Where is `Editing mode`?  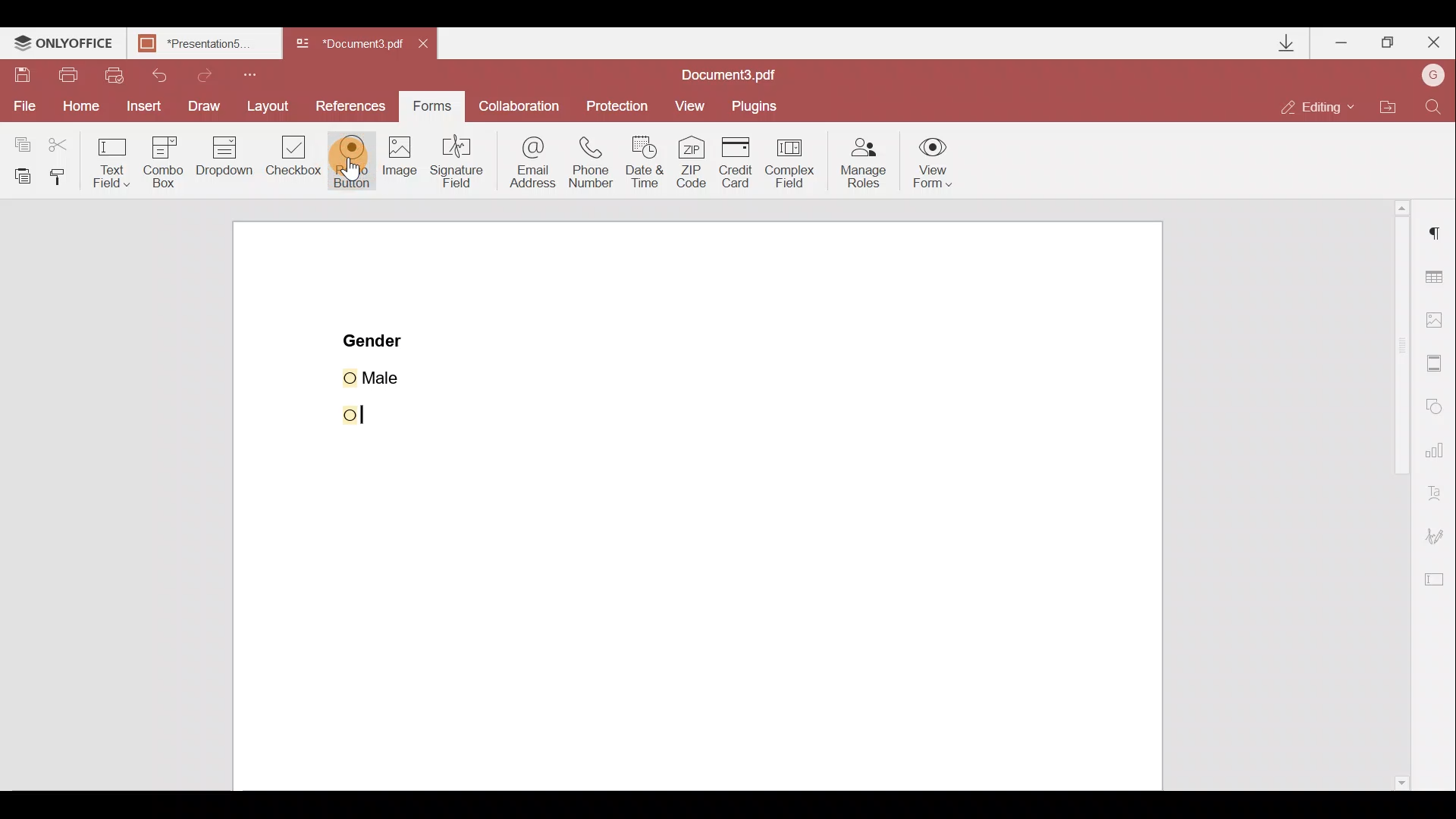 Editing mode is located at coordinates (1323, 101).